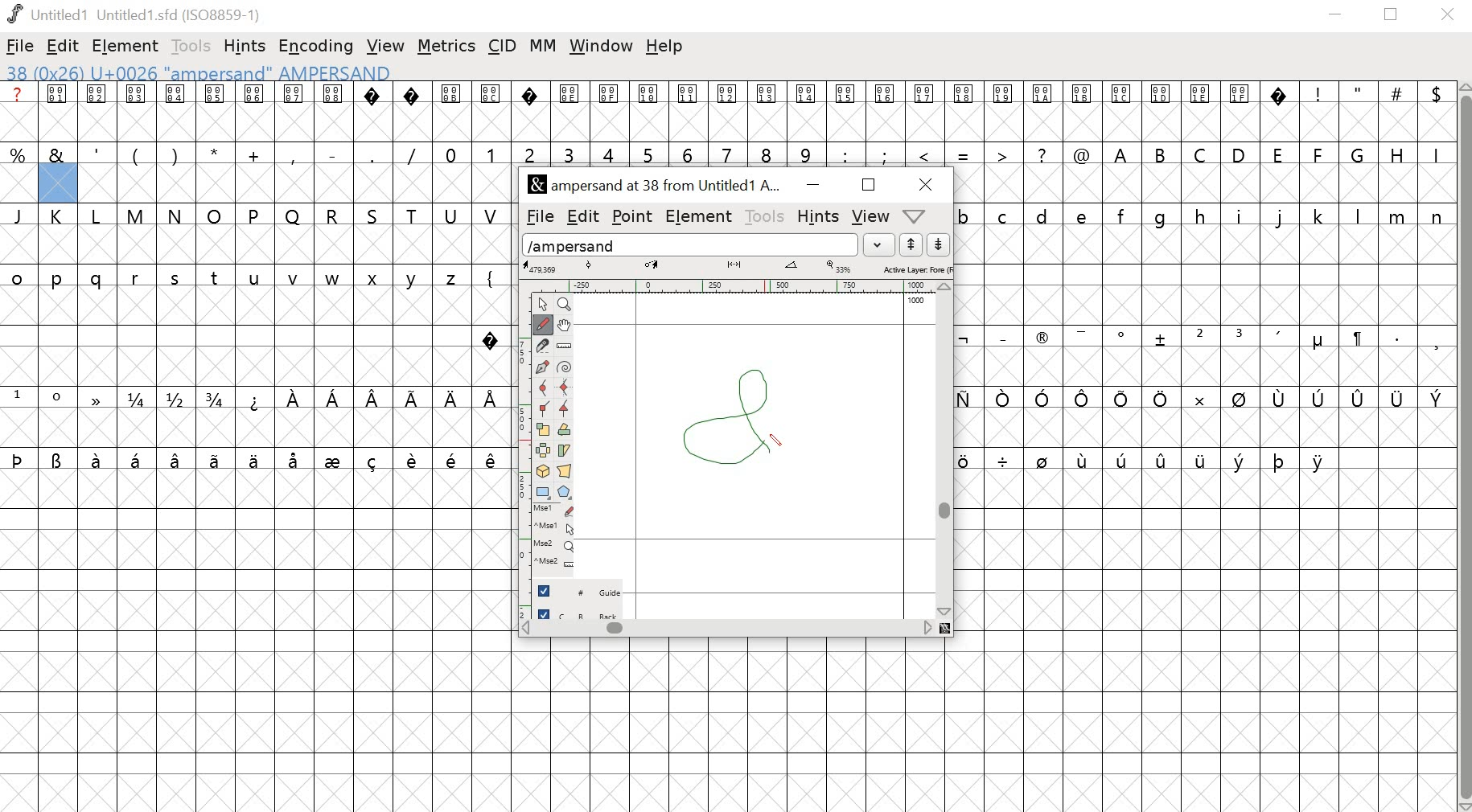 The width and height of the screenshot is (1472, 812). What do you see at coordinates (504, 45) in the screenshot?
I see `cid` at bounding box center [504, 45].